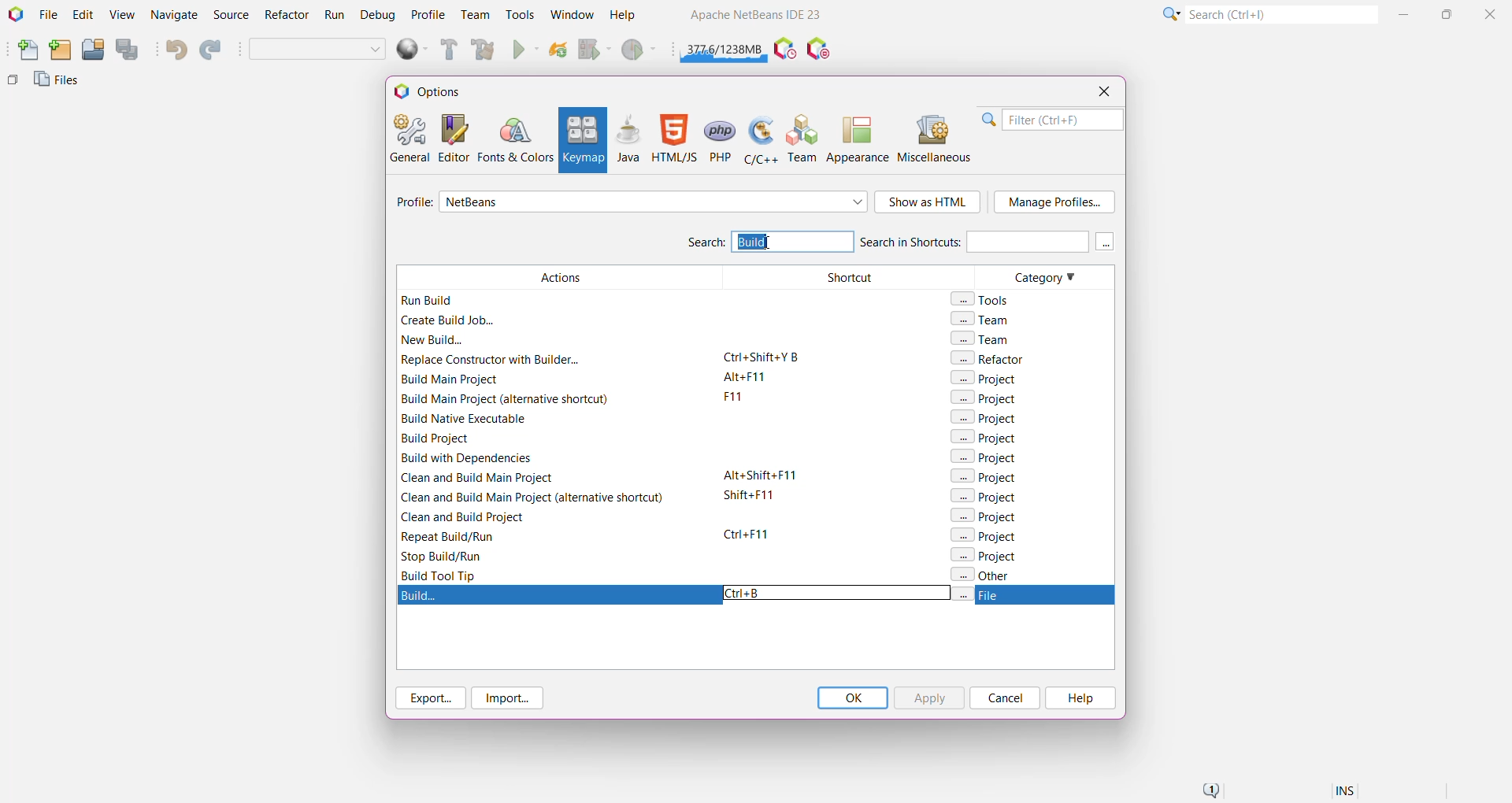 Image resolution: width=1512 pixels, height=803 pixels. I want to click on Manage Profile, so click(1054, 202).